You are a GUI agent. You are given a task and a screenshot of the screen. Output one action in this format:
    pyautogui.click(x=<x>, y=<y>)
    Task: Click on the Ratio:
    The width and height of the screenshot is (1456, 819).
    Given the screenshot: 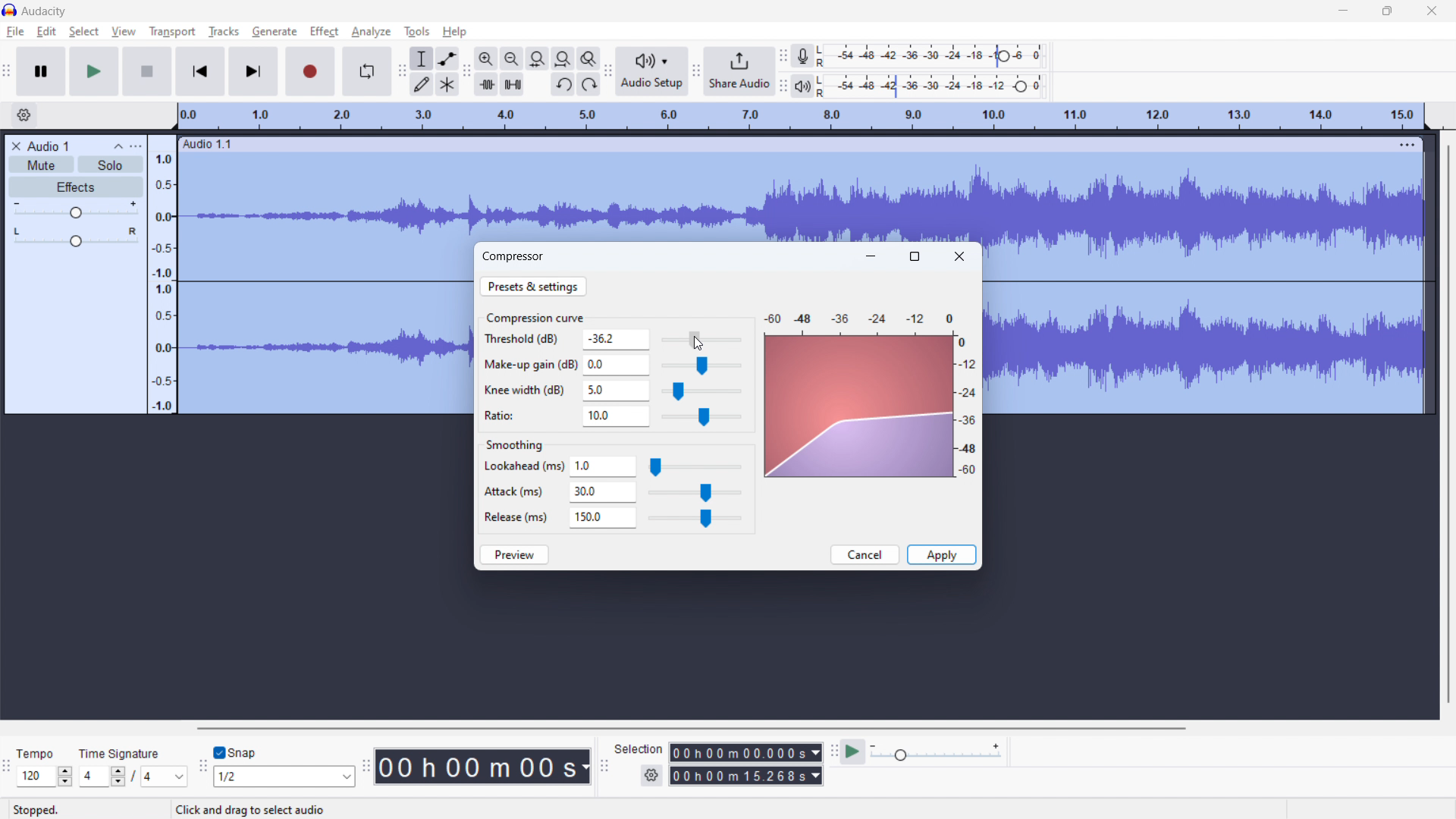 What is the action you would take?
    pyautogui.click(x=510, y=414)
    